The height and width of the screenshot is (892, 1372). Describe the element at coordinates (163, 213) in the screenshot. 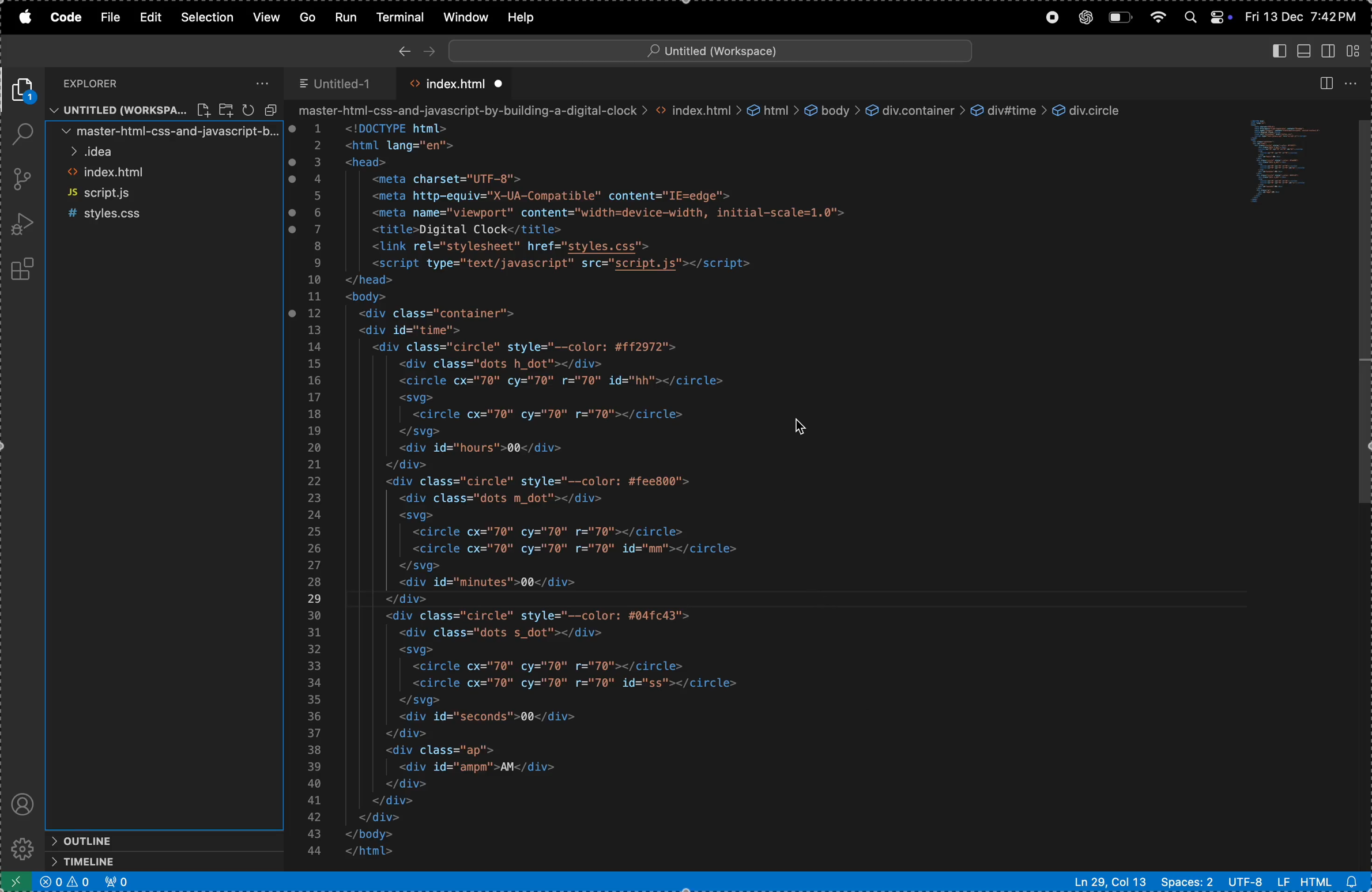

I see `style.css` at that location.